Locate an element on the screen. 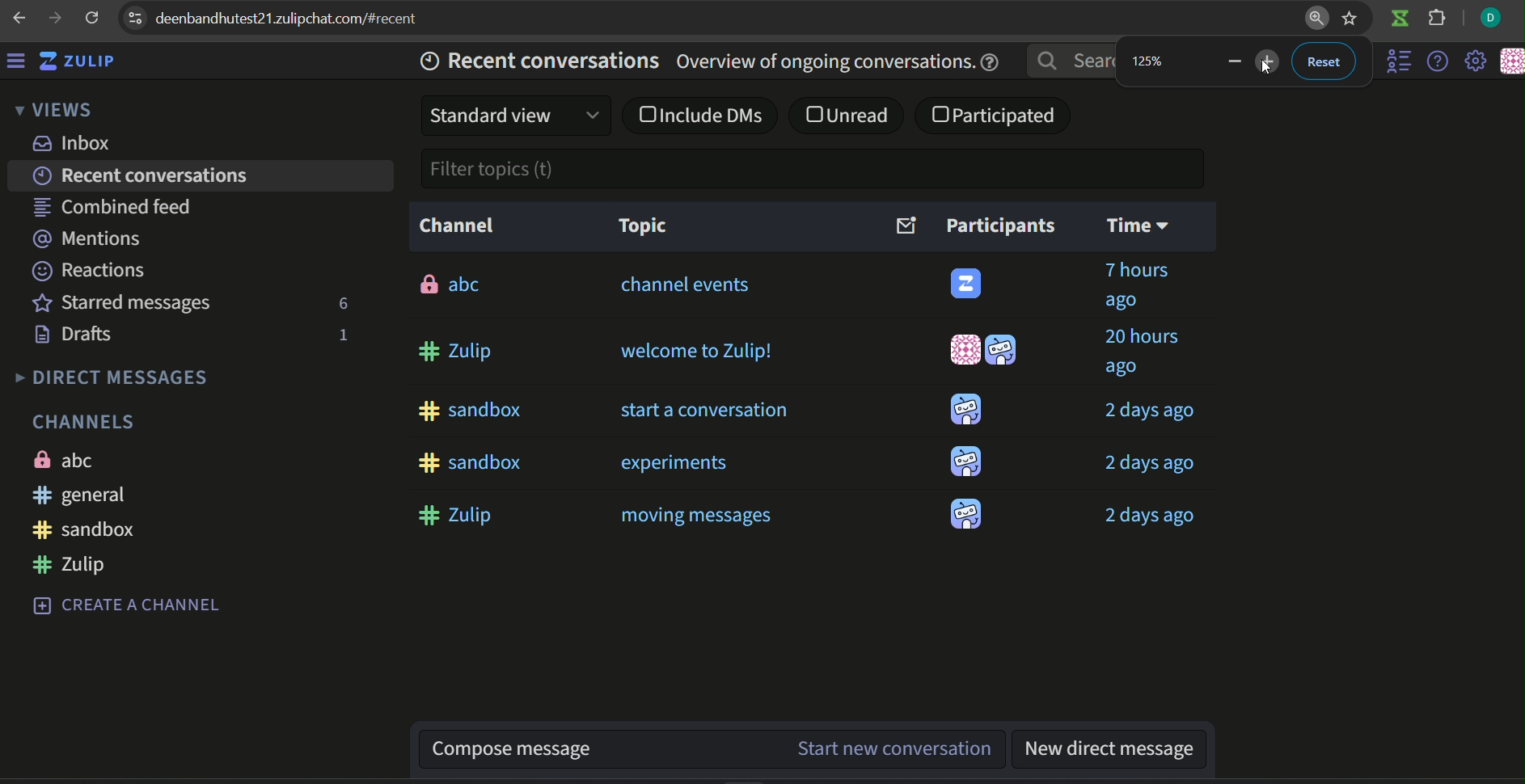  text is located at coordinates (457, 224).